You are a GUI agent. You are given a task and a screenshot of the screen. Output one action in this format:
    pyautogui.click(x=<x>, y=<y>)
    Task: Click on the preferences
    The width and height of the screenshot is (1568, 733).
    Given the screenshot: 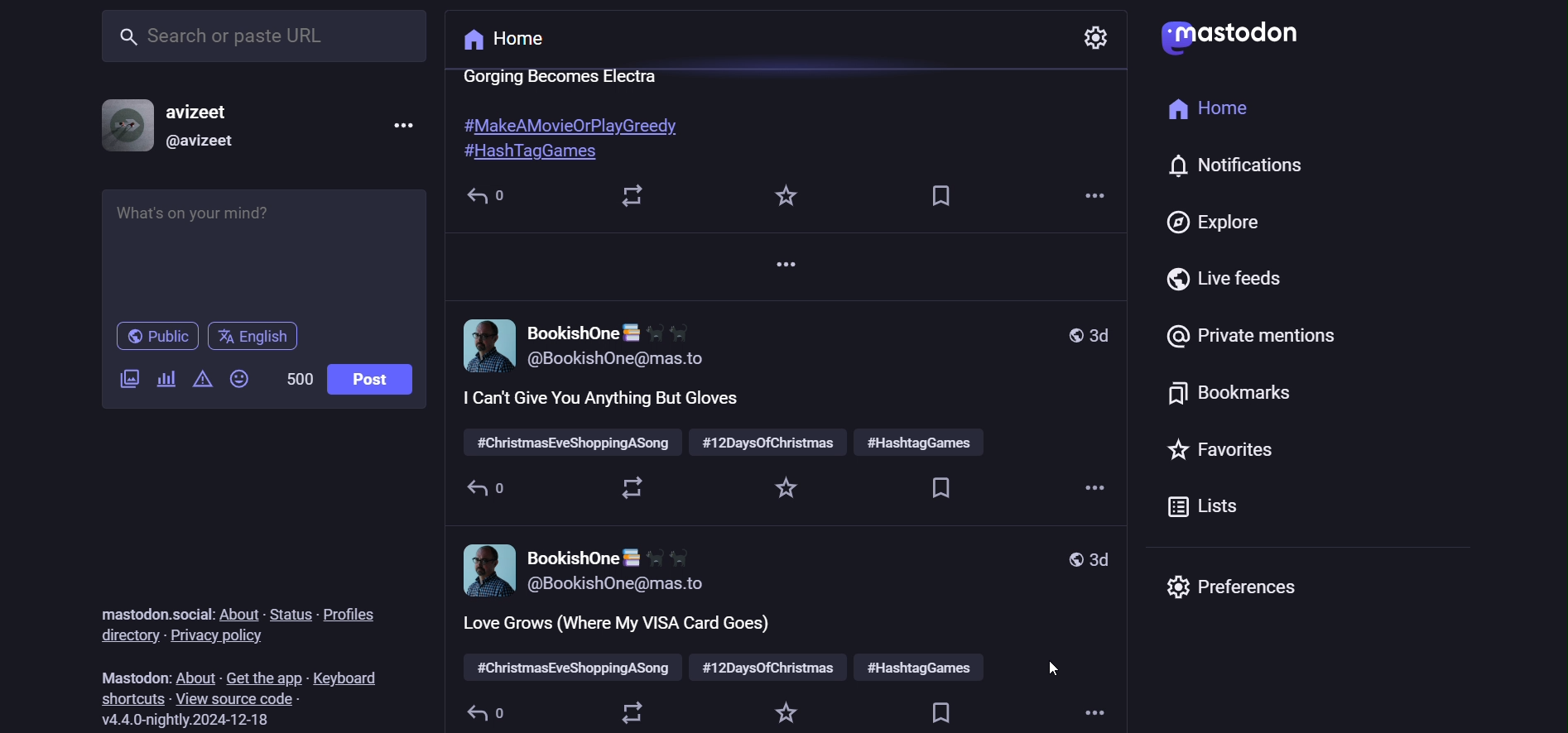 What is the action you would take?
    pyautogui.click(x=1234, y=587)
    